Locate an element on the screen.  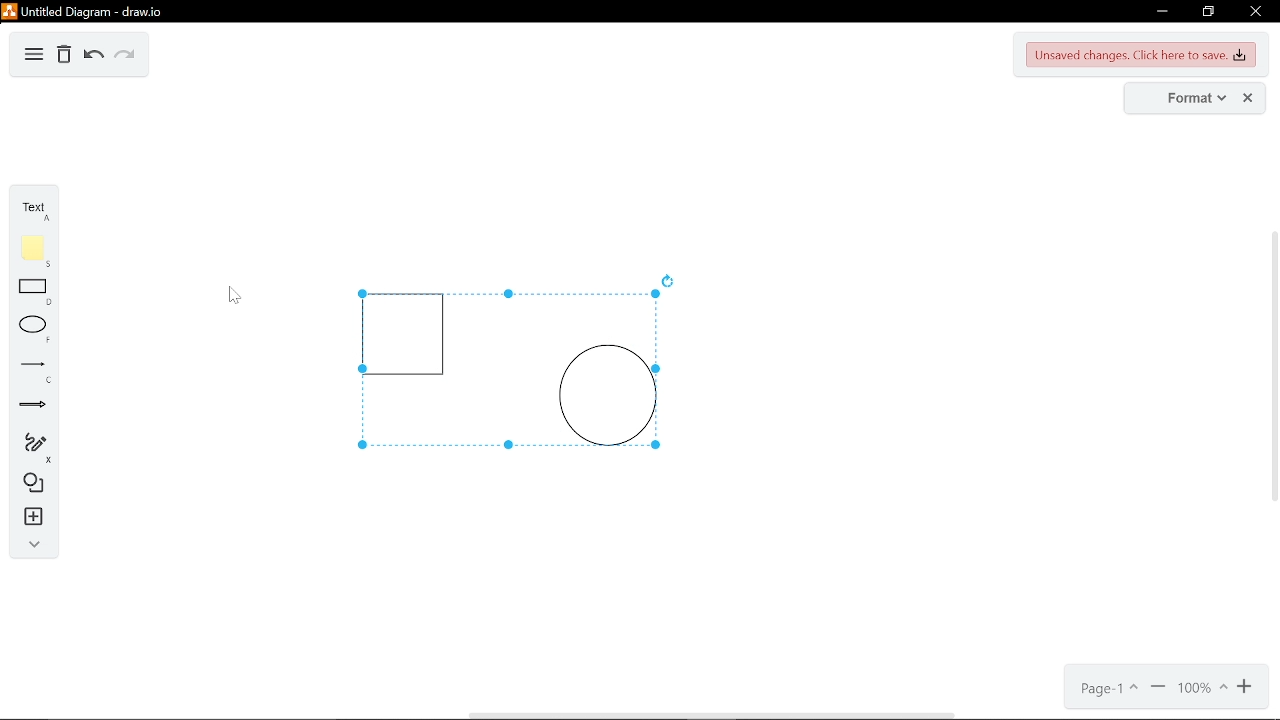
unsaved changes. Click here to save is located at coordinates (1142, 56).